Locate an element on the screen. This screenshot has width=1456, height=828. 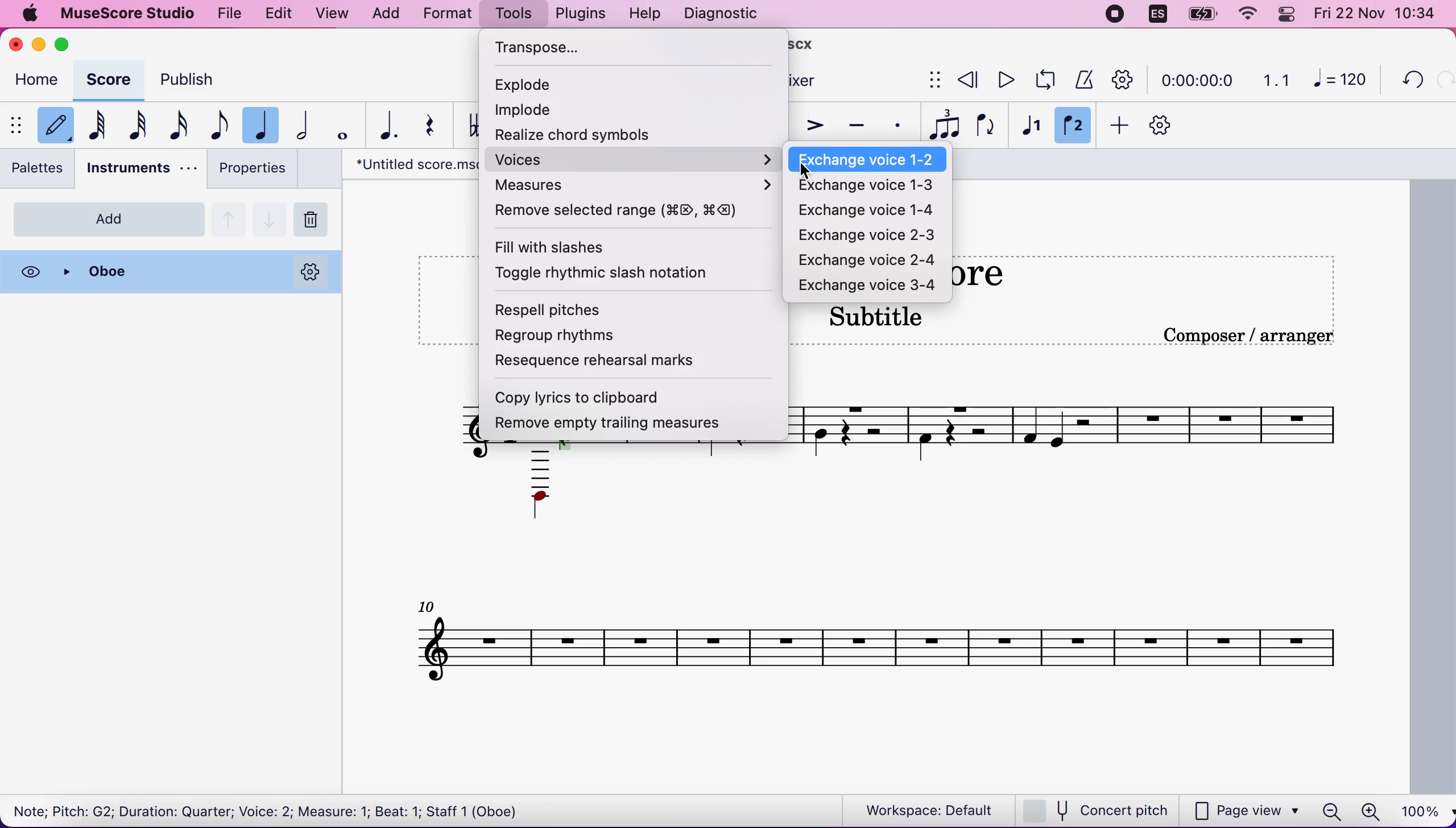
whole note is located at coordinates (343, 125).